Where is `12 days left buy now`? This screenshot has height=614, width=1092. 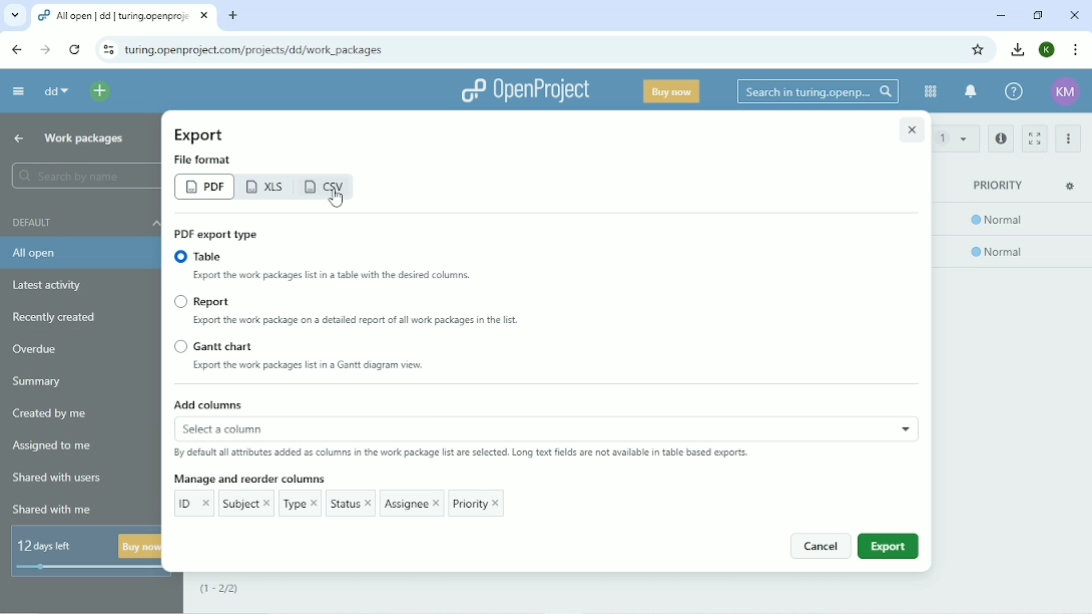
12 days left buy now is located at coordinates (85, 552).